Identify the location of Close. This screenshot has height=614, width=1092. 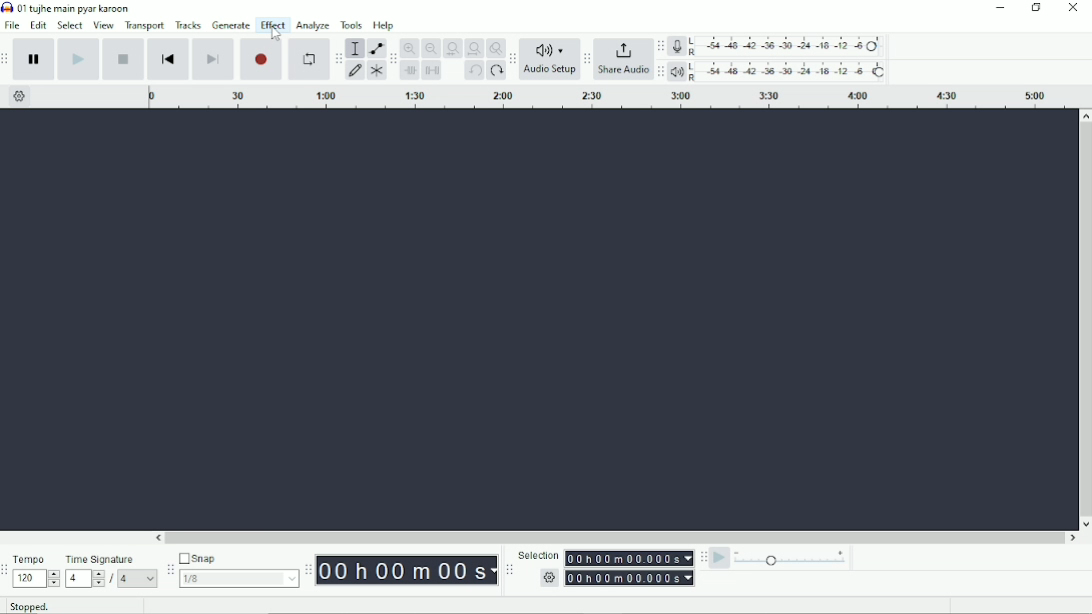
(1073, 9).